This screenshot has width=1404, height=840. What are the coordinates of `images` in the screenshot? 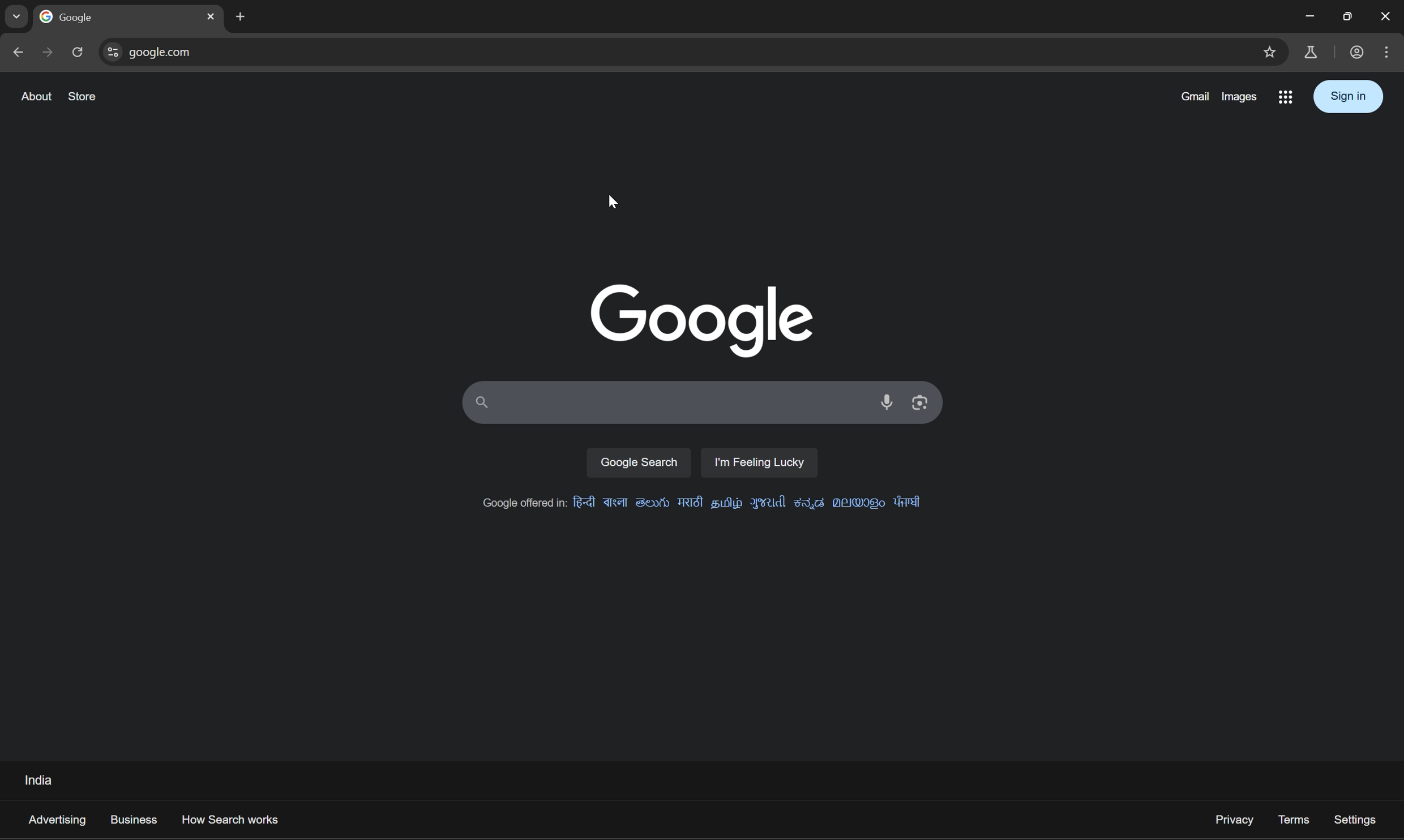 It's located at (1241, 97).